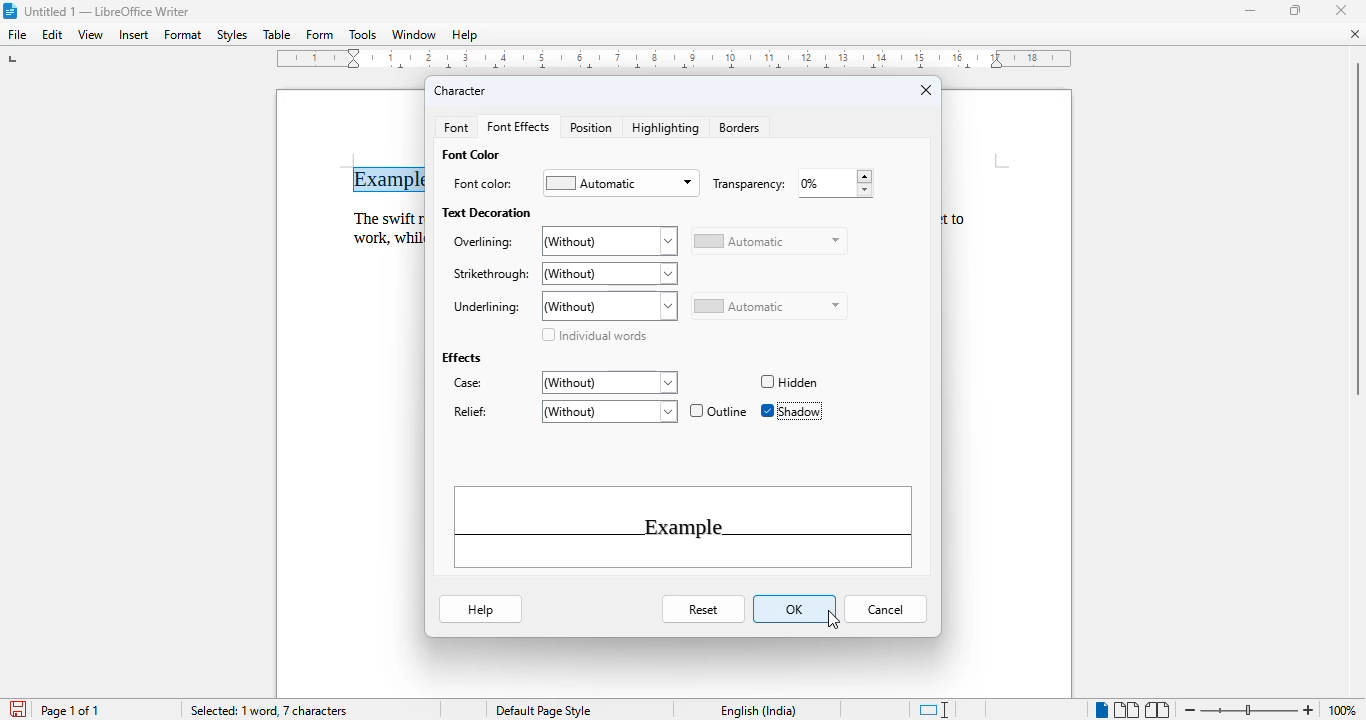 The image size is (1366, 720). I want to click on borders, so click(739, 128).